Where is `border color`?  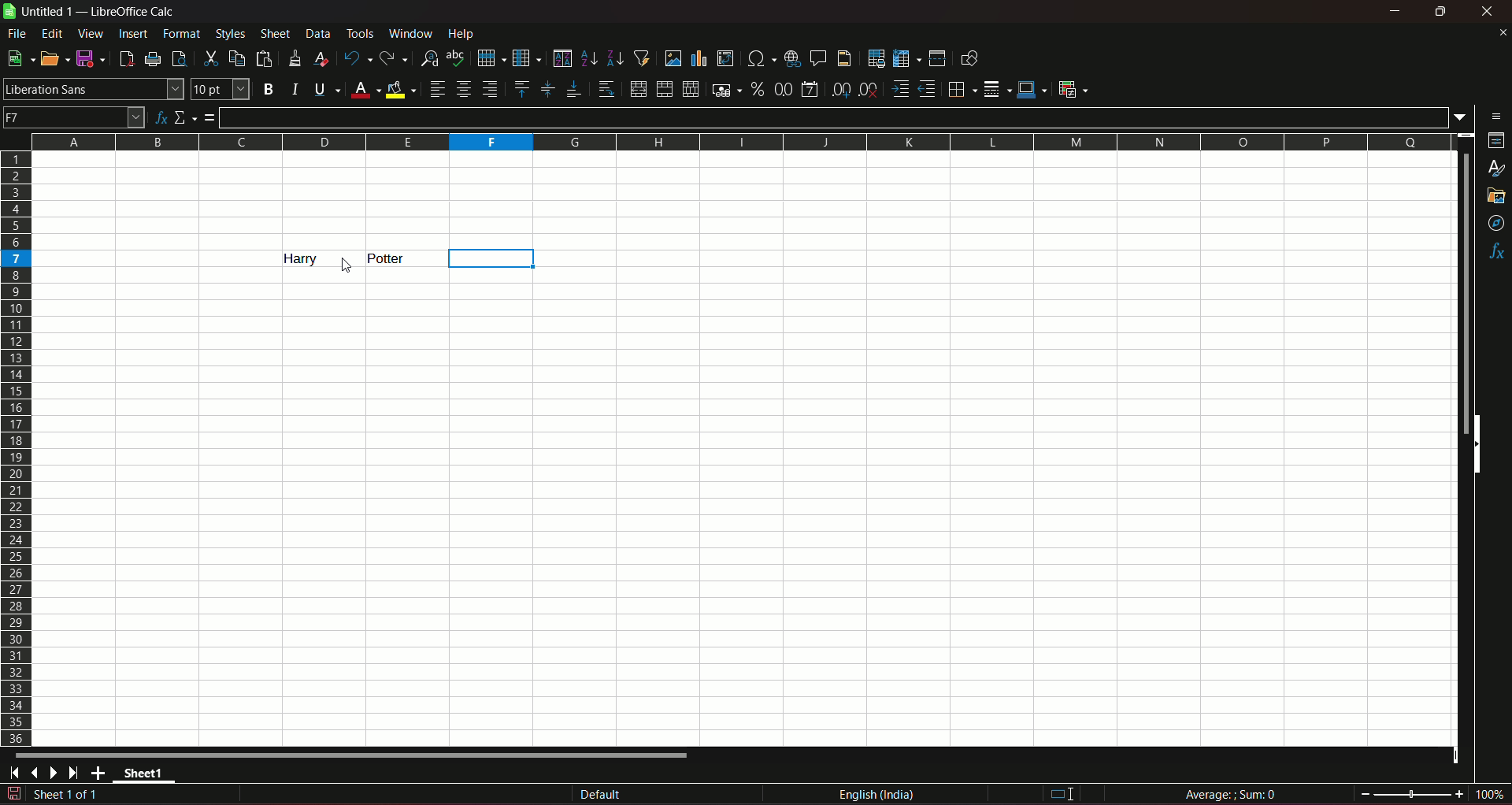 border color is located at coordinates (1032, 88).